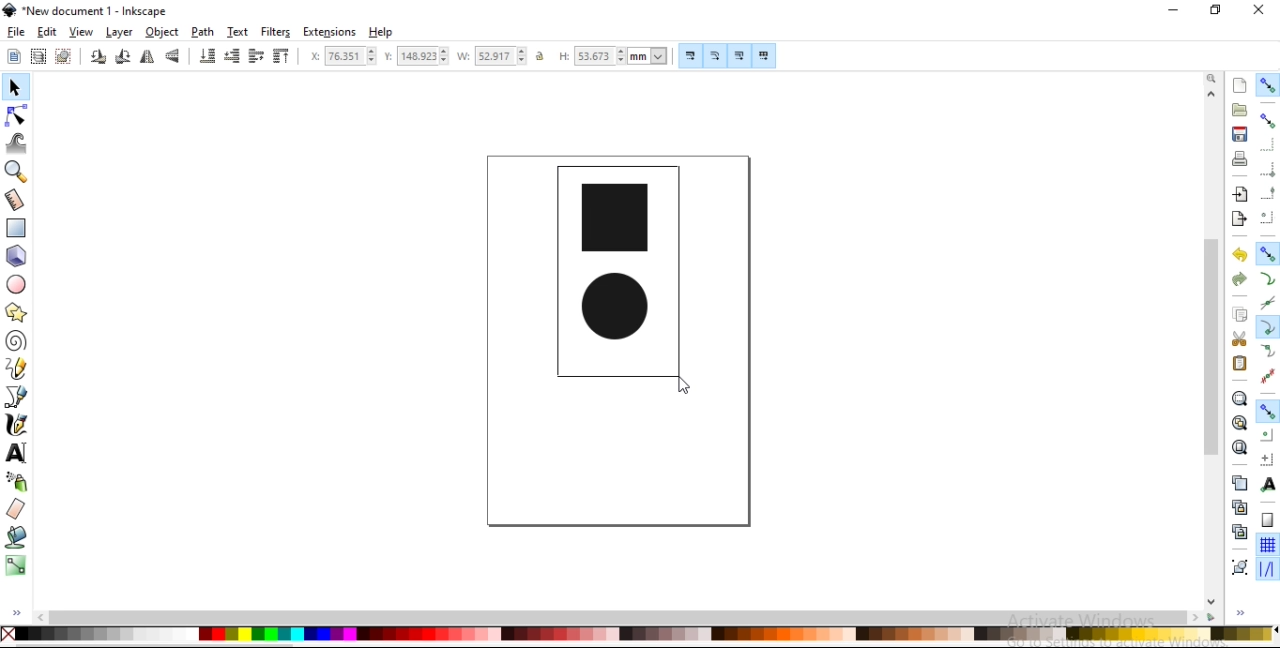 This screenshot has height=648, width=1280. What do you see at coordinates (16, 452) in the screenshot?
I see `create and edit text objects` at bounding box center [16, 452].